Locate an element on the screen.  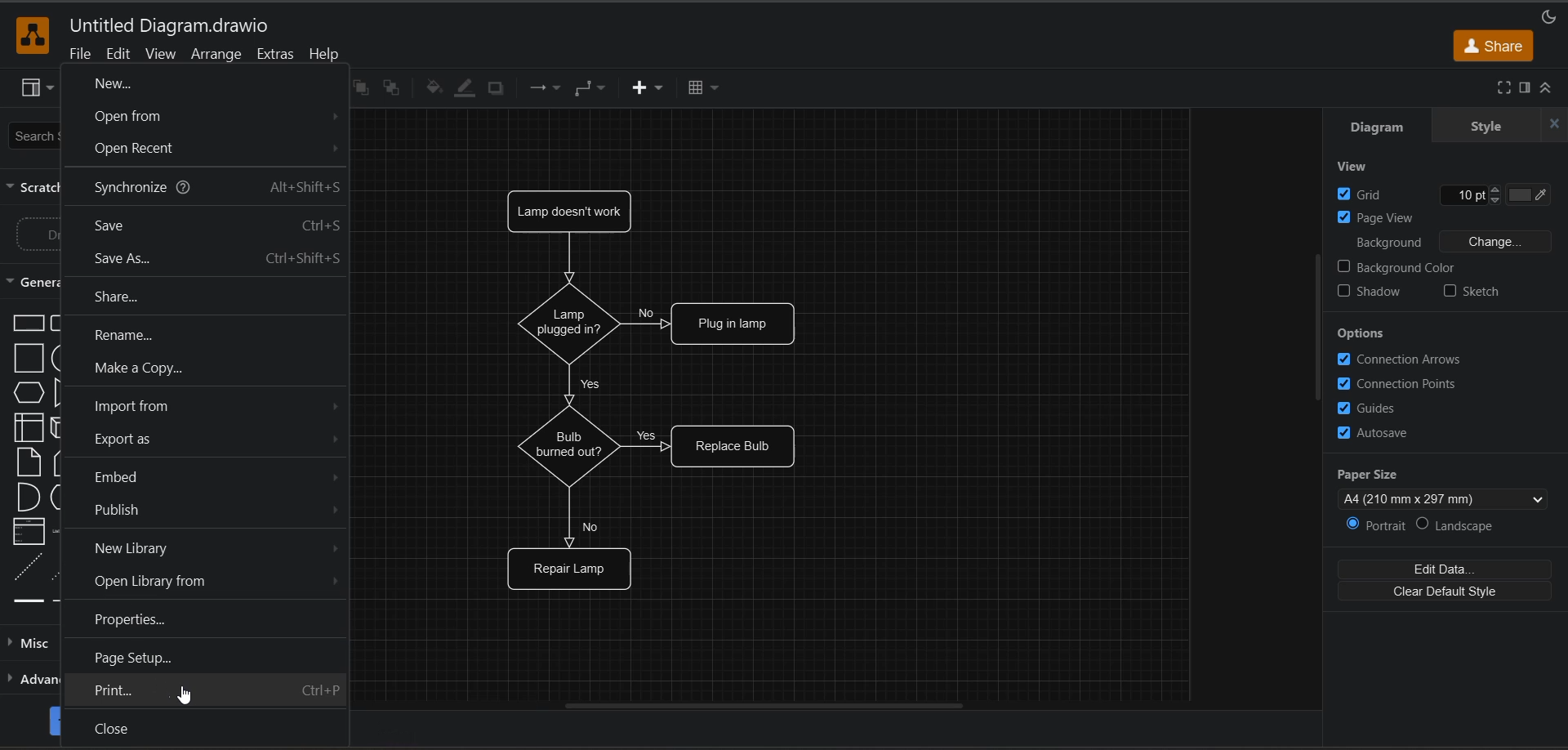
help is located at coordinates (327, 55).